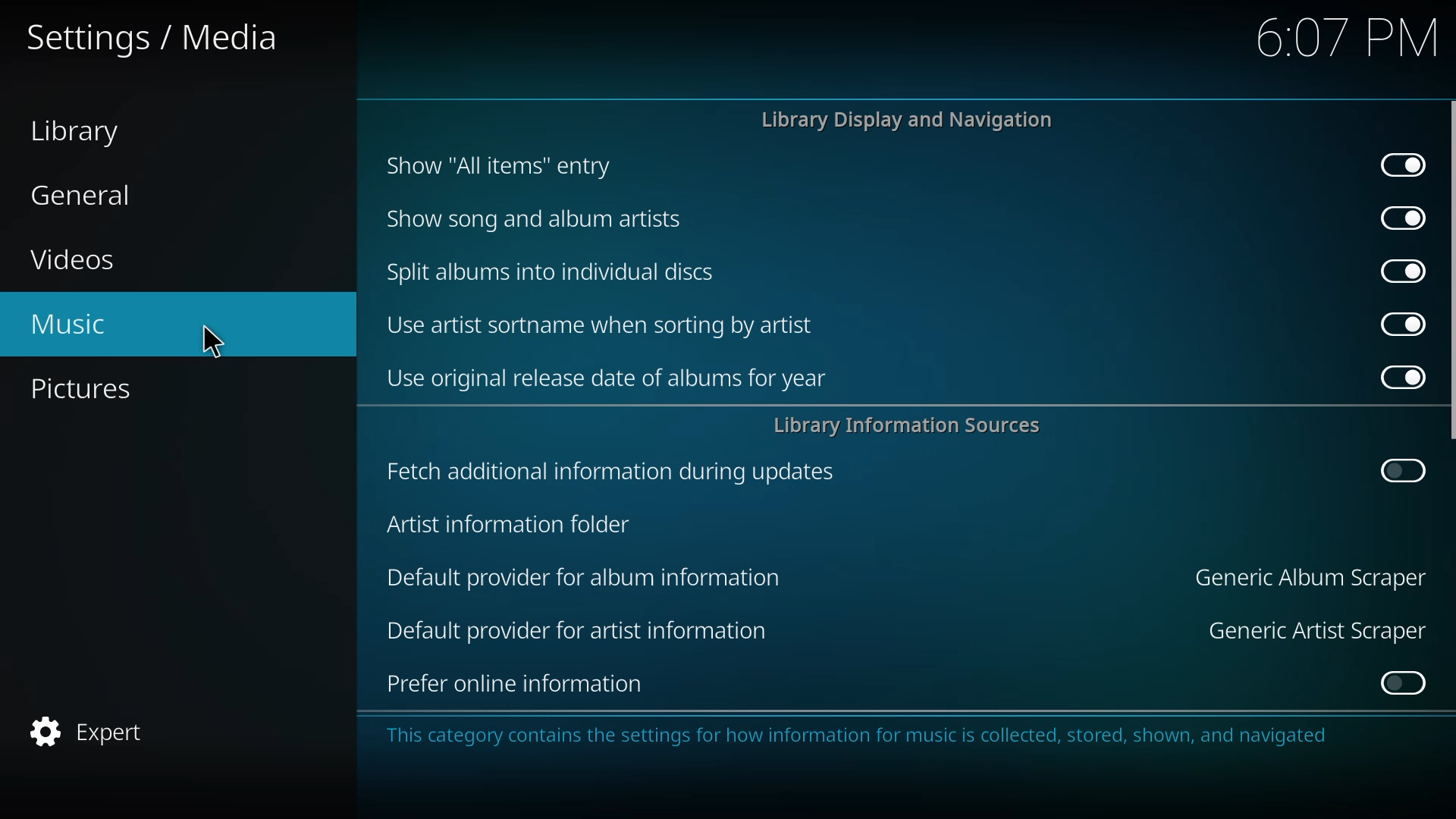 The height and width of the screenshot is (819, 1456). I want to click on Use original release date of albums for year, so click(613, 383).